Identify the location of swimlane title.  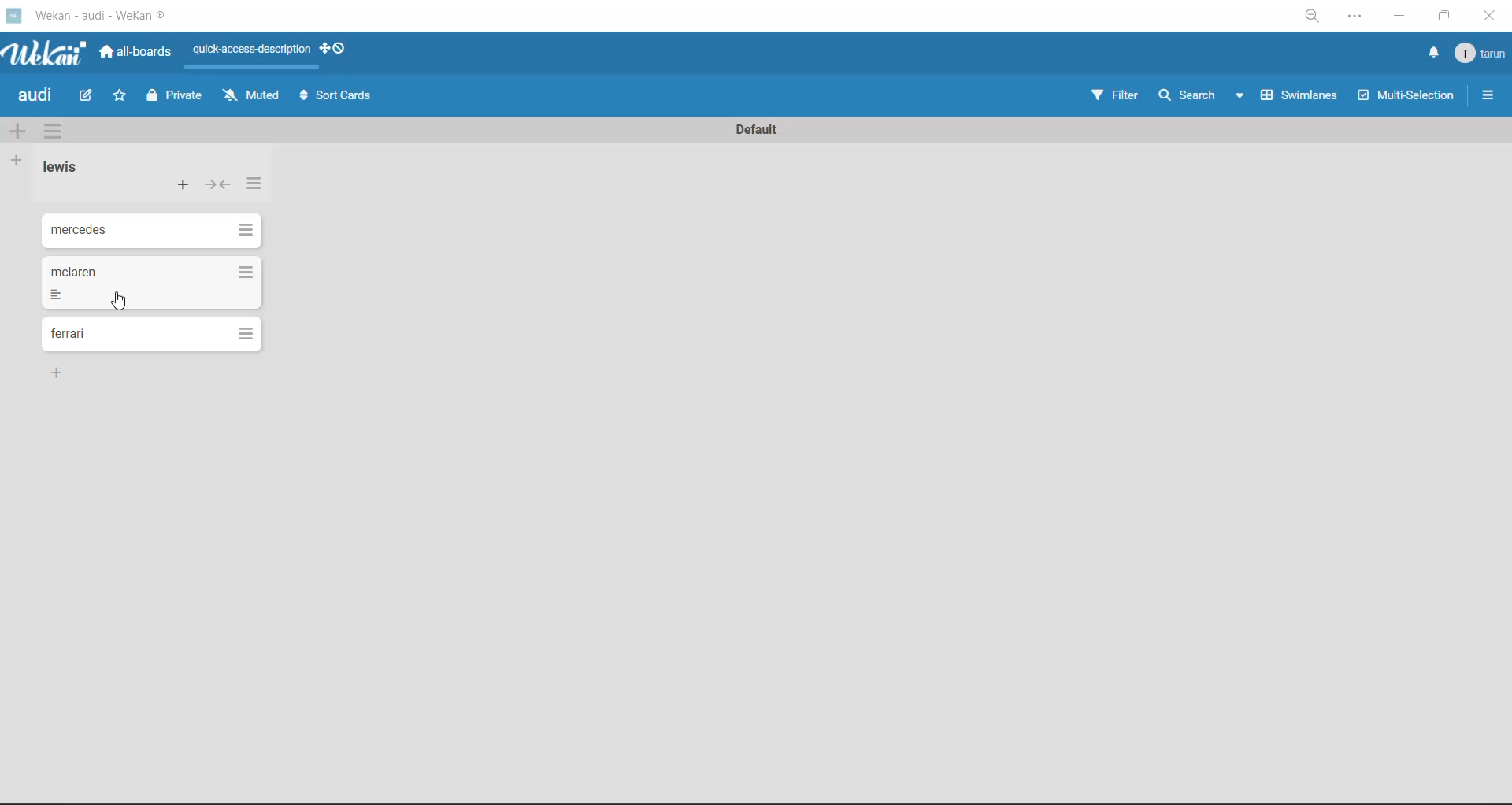
(756, 131).